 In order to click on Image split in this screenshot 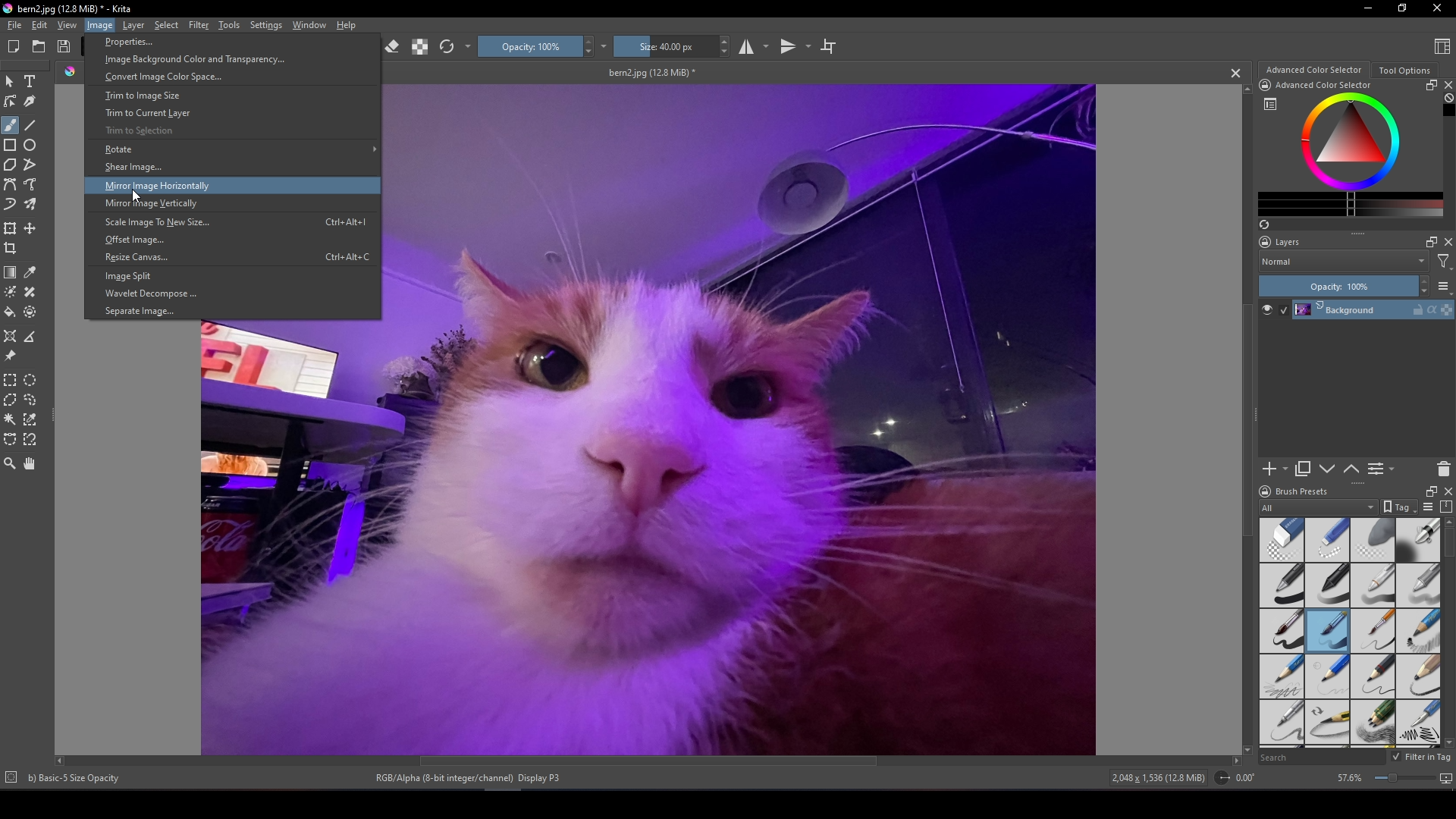, I will do `click(234, 275)`.